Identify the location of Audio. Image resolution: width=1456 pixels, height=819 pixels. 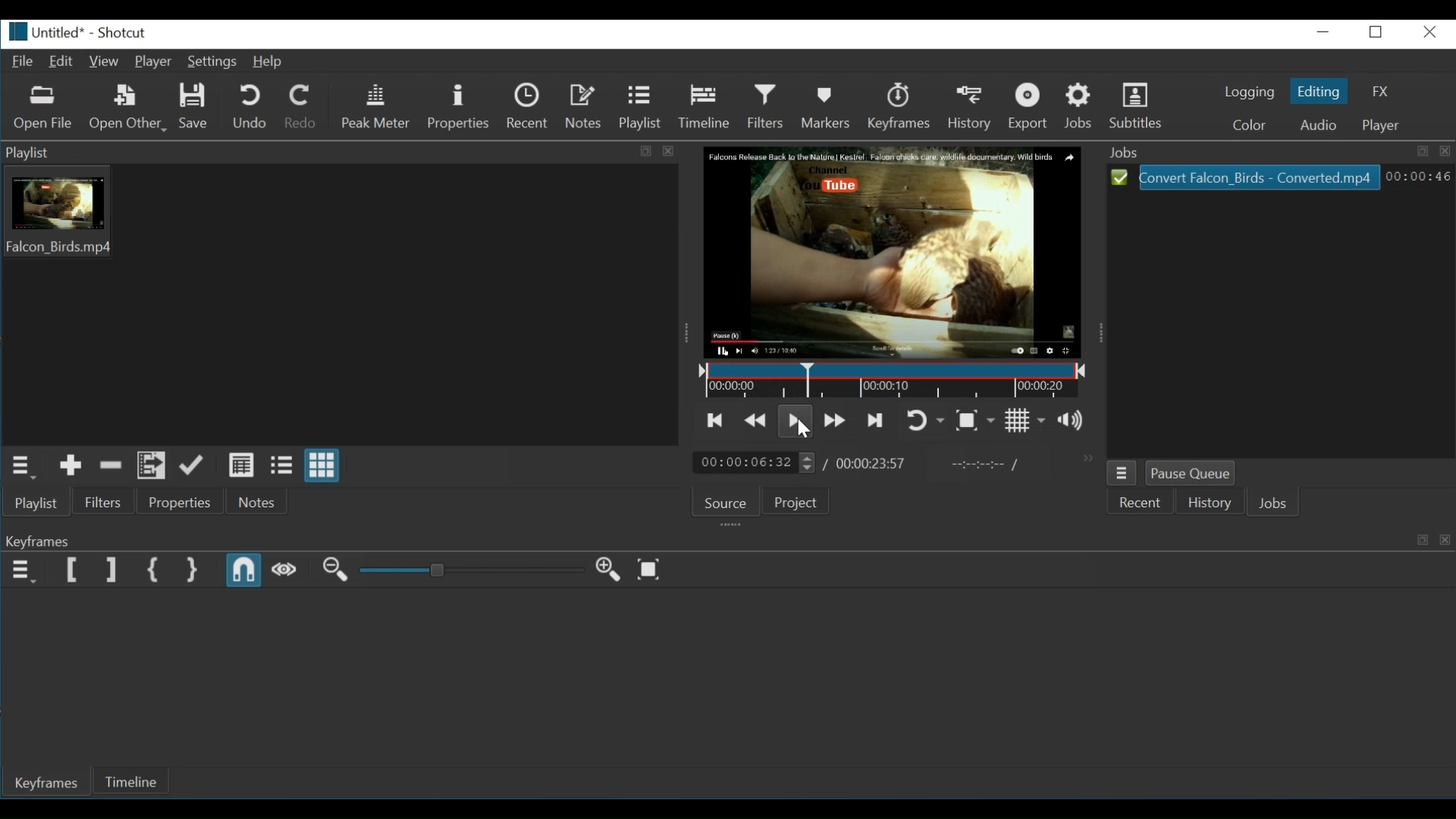
(1317, 124).